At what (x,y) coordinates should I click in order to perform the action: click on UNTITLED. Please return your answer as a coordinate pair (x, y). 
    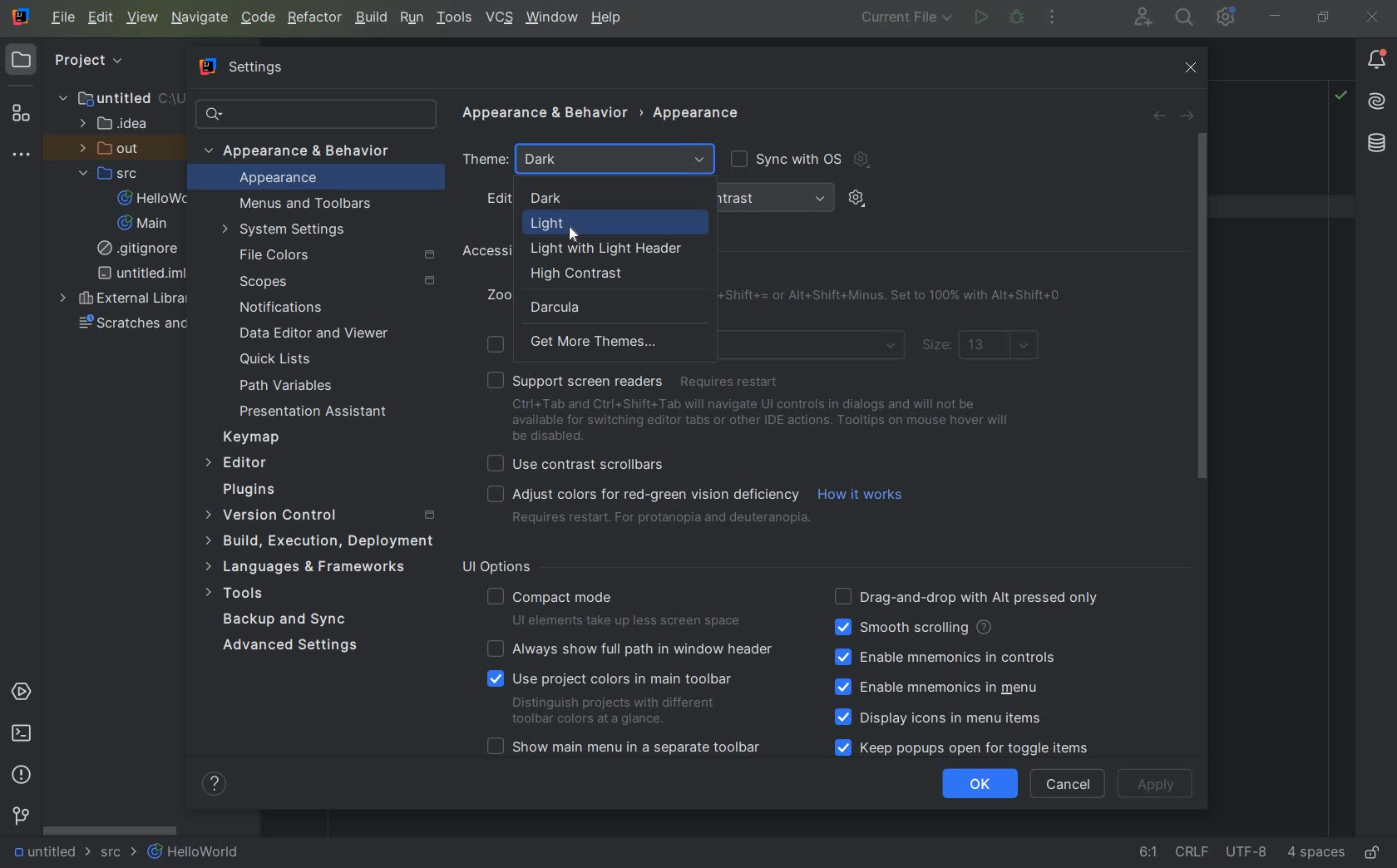
    Looking at the image, I should click on (50, 853).